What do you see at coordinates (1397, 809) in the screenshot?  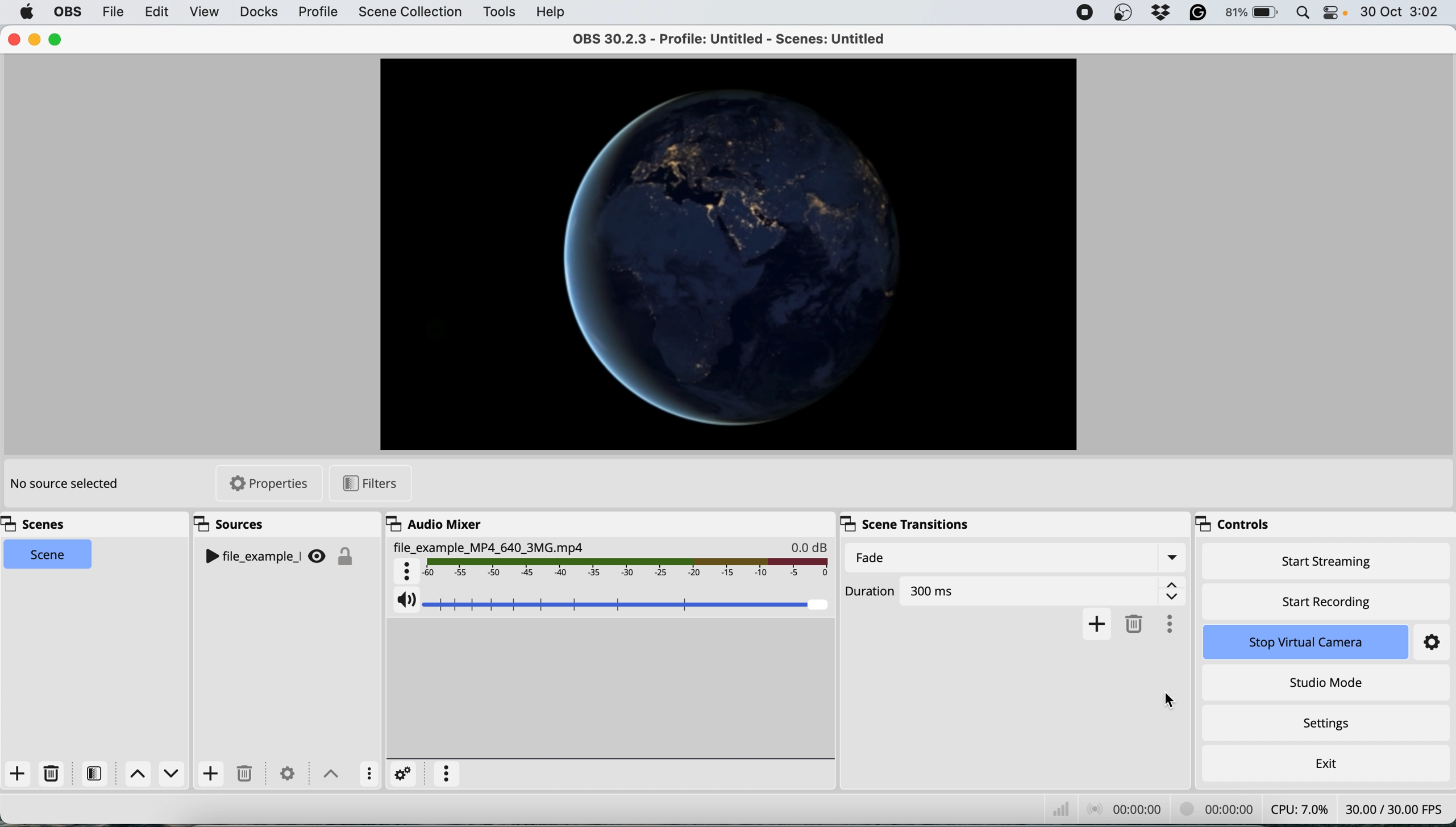 I see `frames per second` at bounding box center [1397, 809].